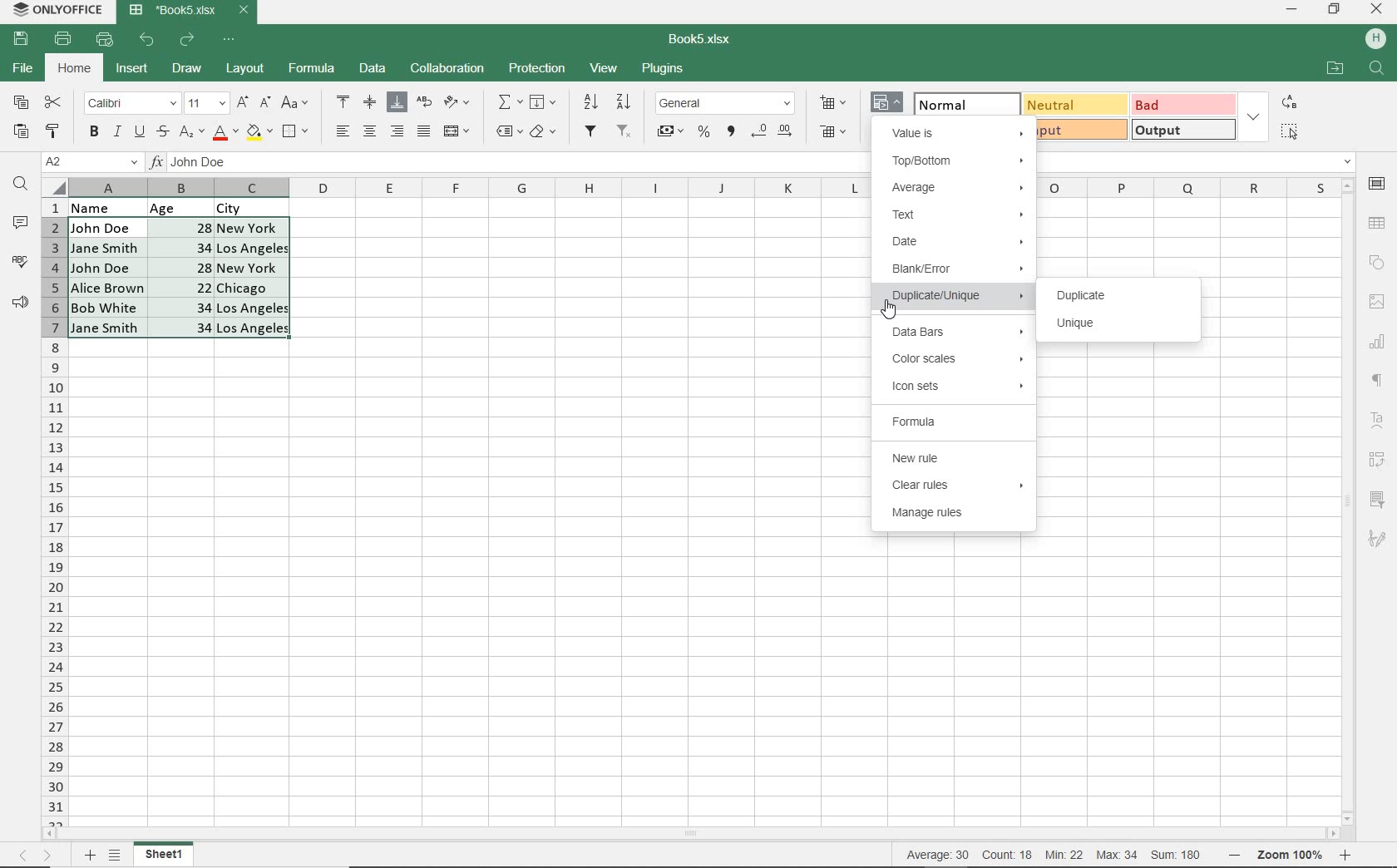 The width and height of the screenshot is (1397, 868). Describe the element at coordinates (20, 262) in the screenshot. I see `SPELL CHECKING` at that location.